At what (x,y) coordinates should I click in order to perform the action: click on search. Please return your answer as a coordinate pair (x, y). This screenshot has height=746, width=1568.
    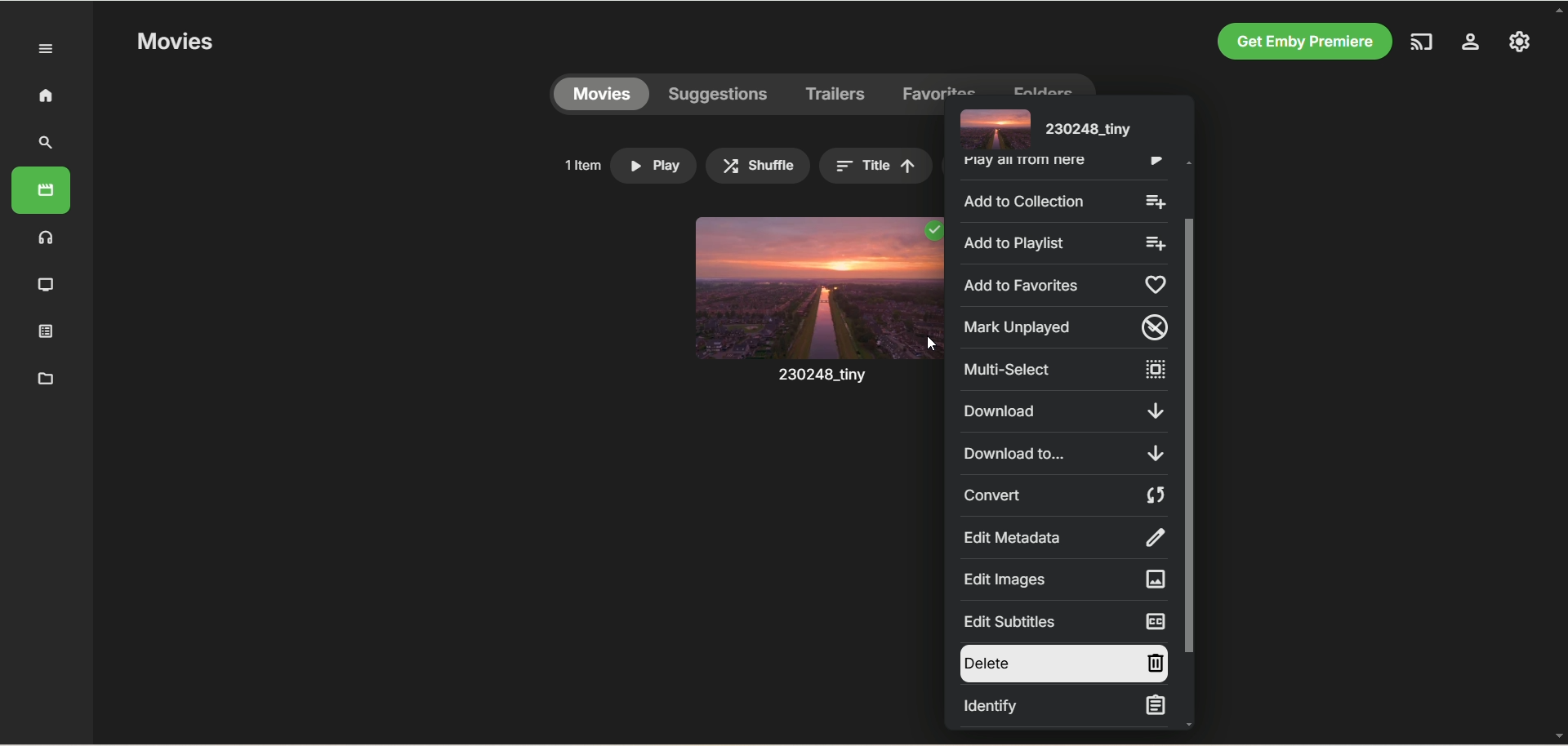
    Looking at the image, I should click on (47, 143).